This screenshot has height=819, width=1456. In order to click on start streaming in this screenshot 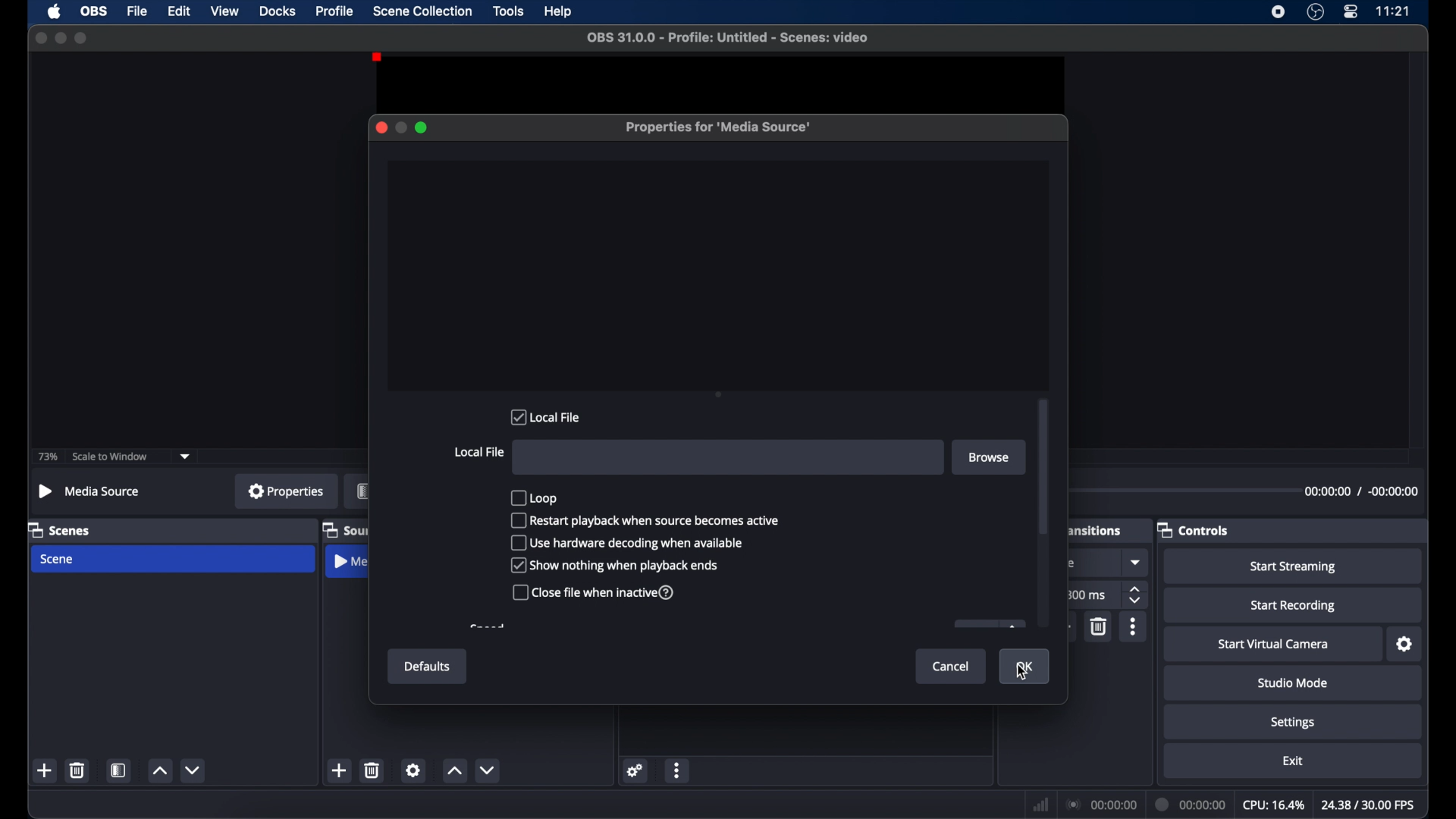, I will do `click(1294, 566)`.